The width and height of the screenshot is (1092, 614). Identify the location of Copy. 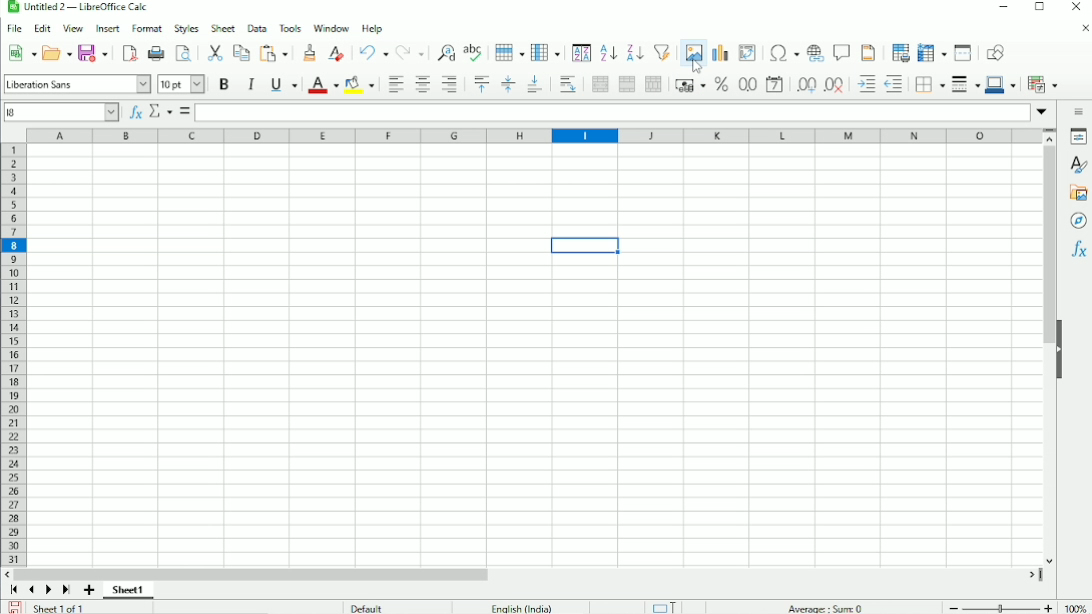
(241, 52).